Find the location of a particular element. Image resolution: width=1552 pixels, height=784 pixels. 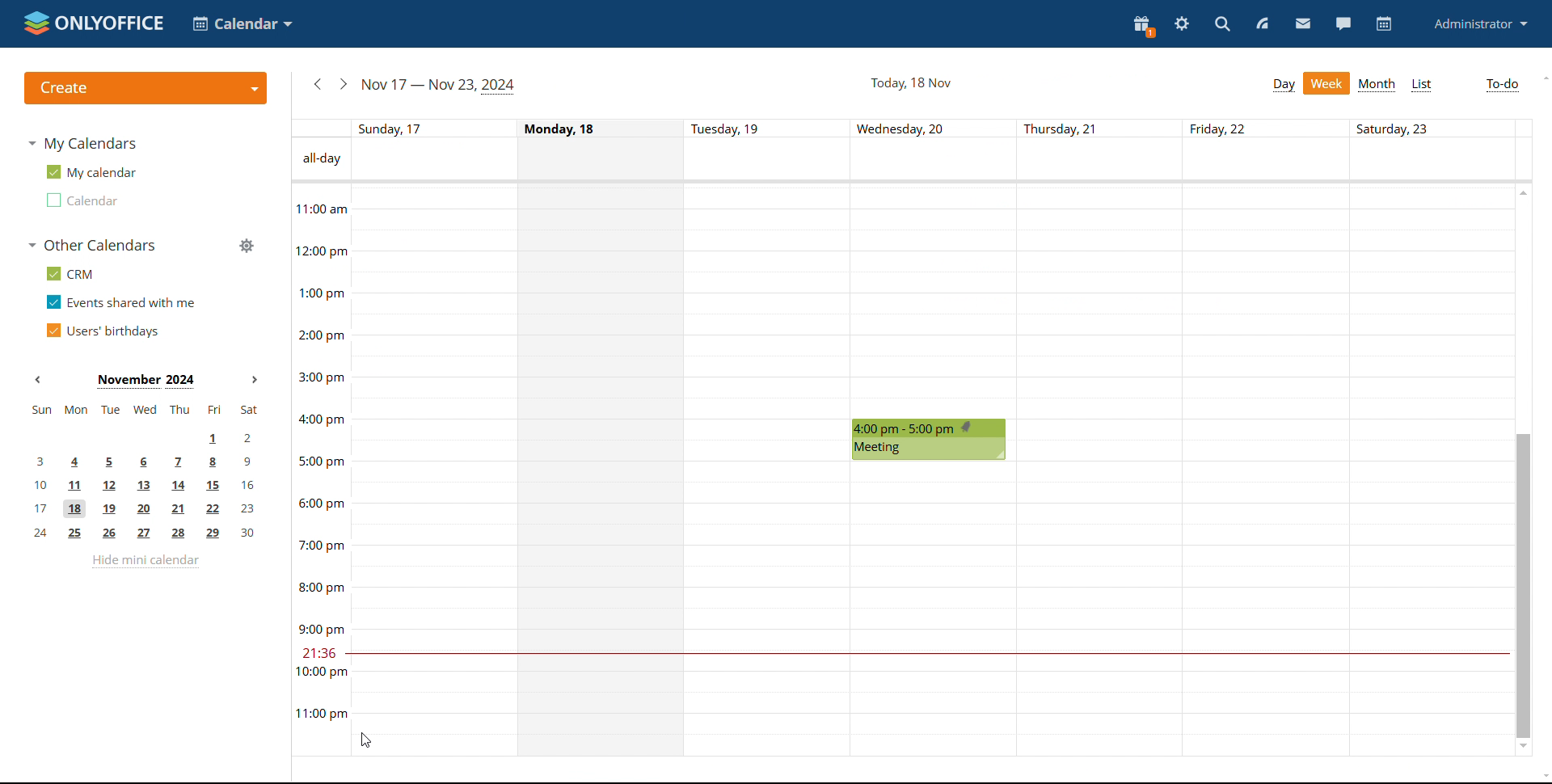

Thursday is located at coordinates (1100, 470).